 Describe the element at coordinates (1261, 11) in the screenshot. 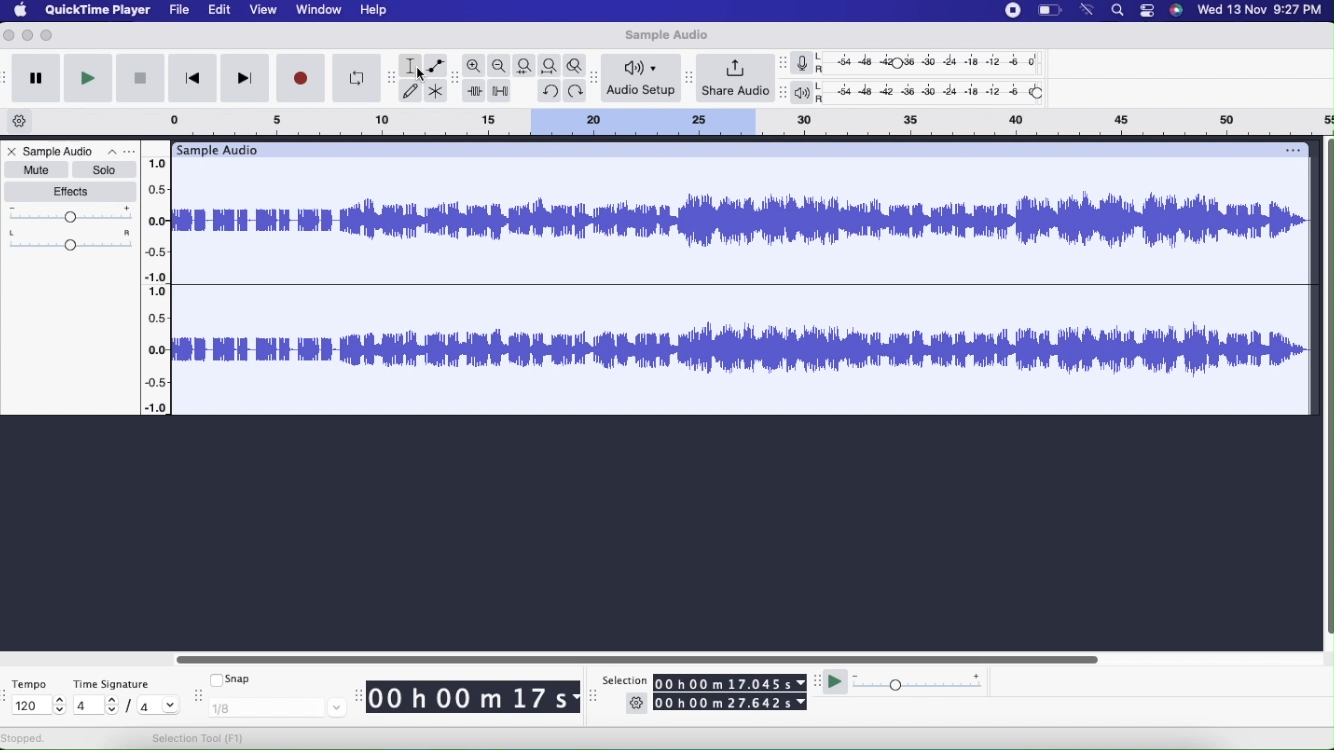

I see `date and time` at that location.